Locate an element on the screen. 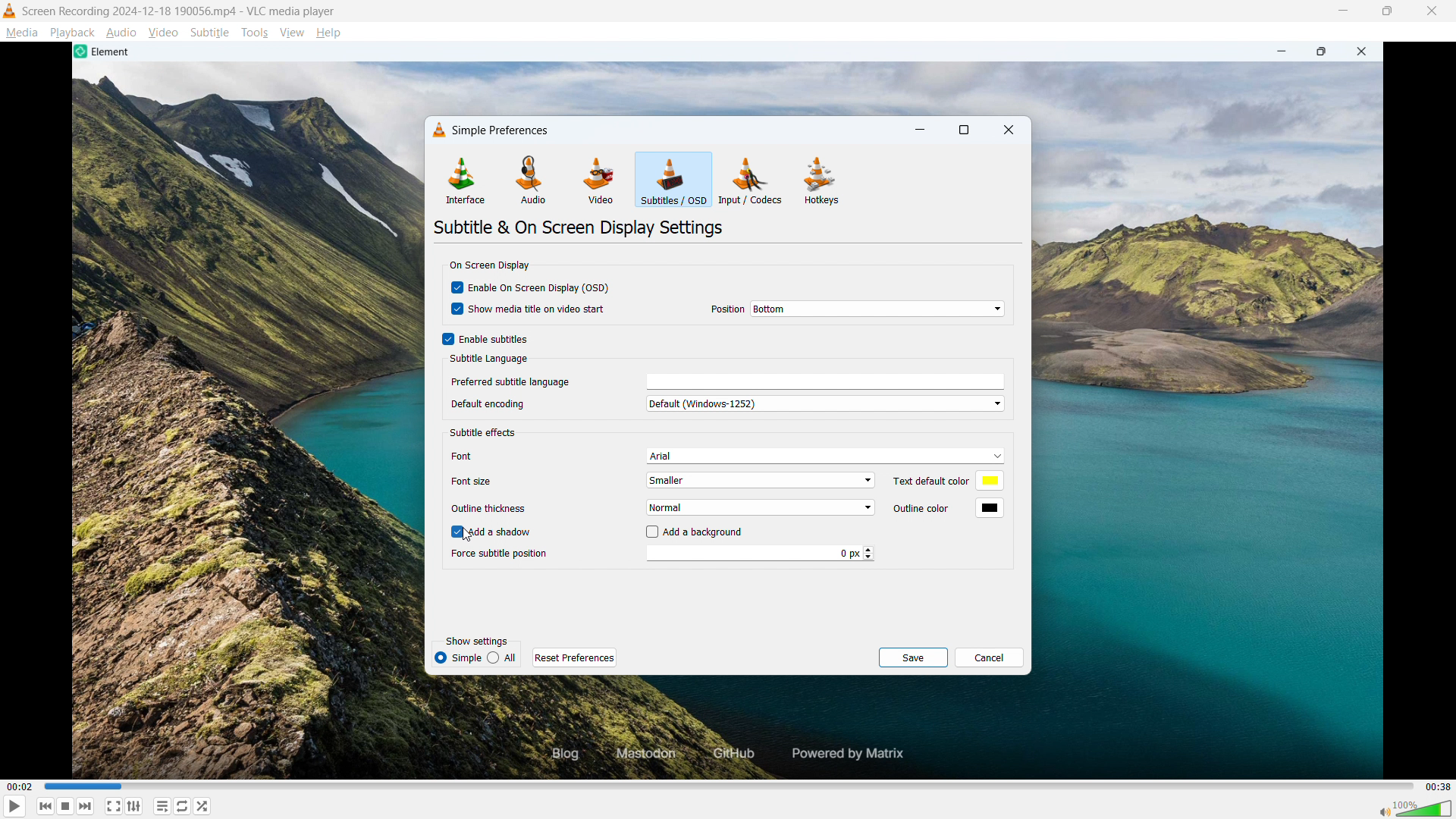 The image size is (1456, 819). Simple is located at coordinates (458, 657).